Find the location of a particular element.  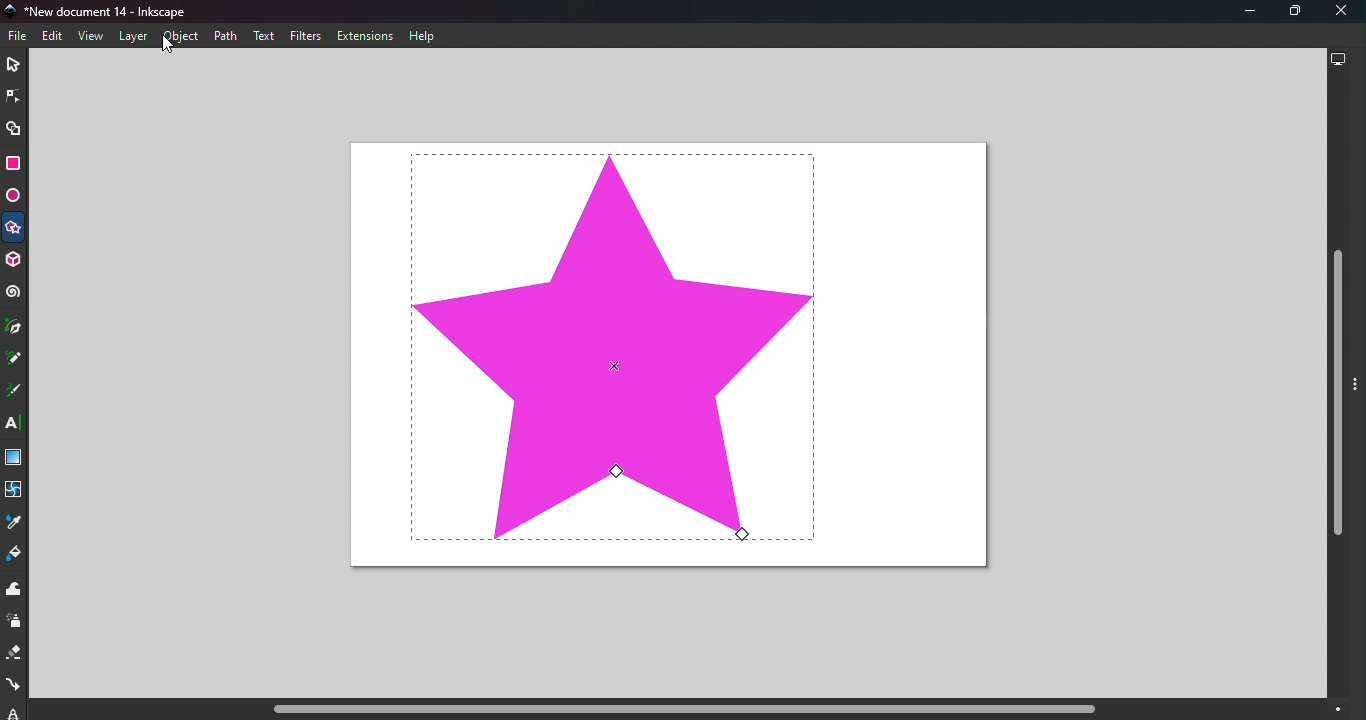

Vertical scroll bar is located at coordinates (1338, 388).